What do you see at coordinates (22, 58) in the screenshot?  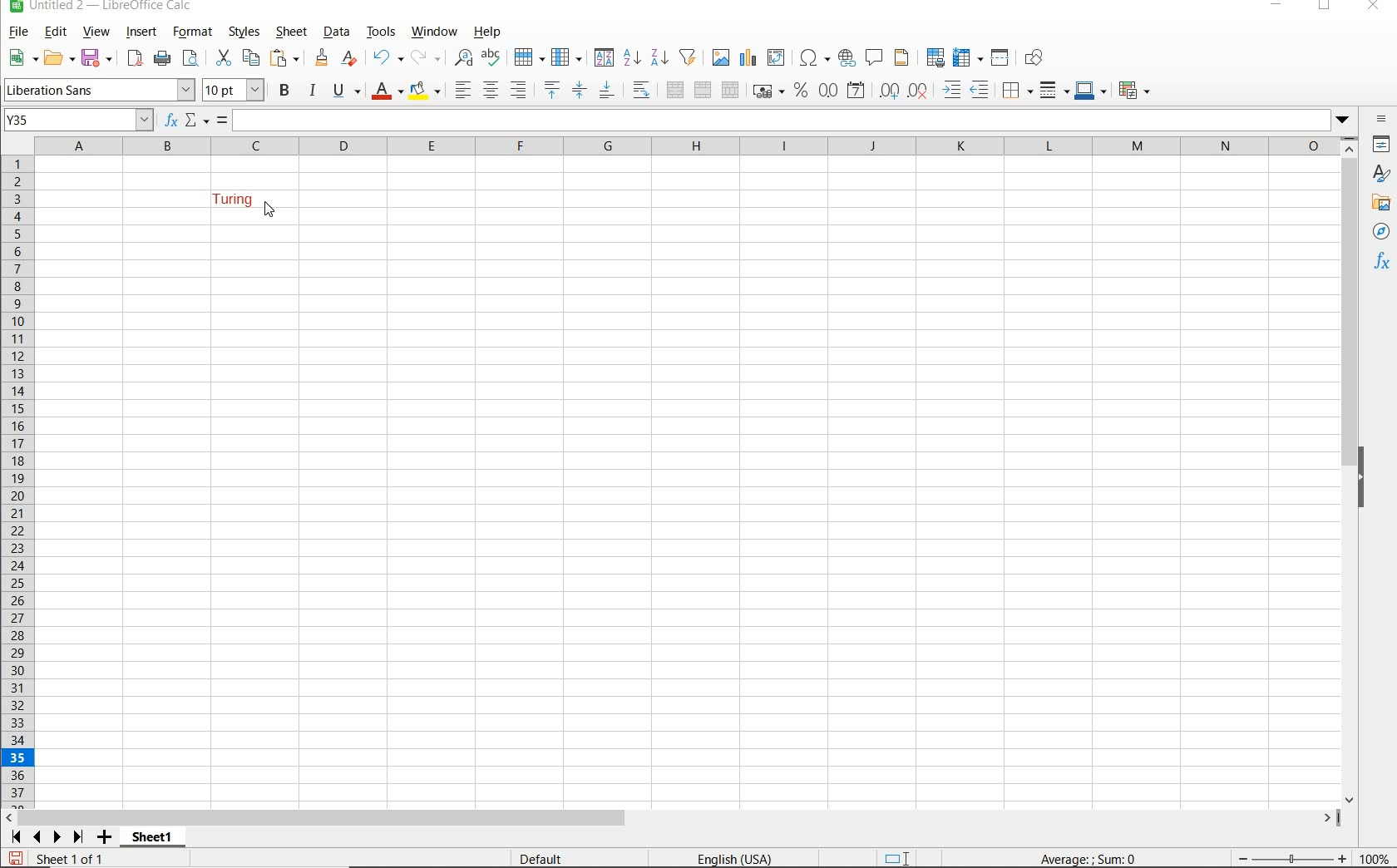 I see `NEW` at bounding box center [22, 58].